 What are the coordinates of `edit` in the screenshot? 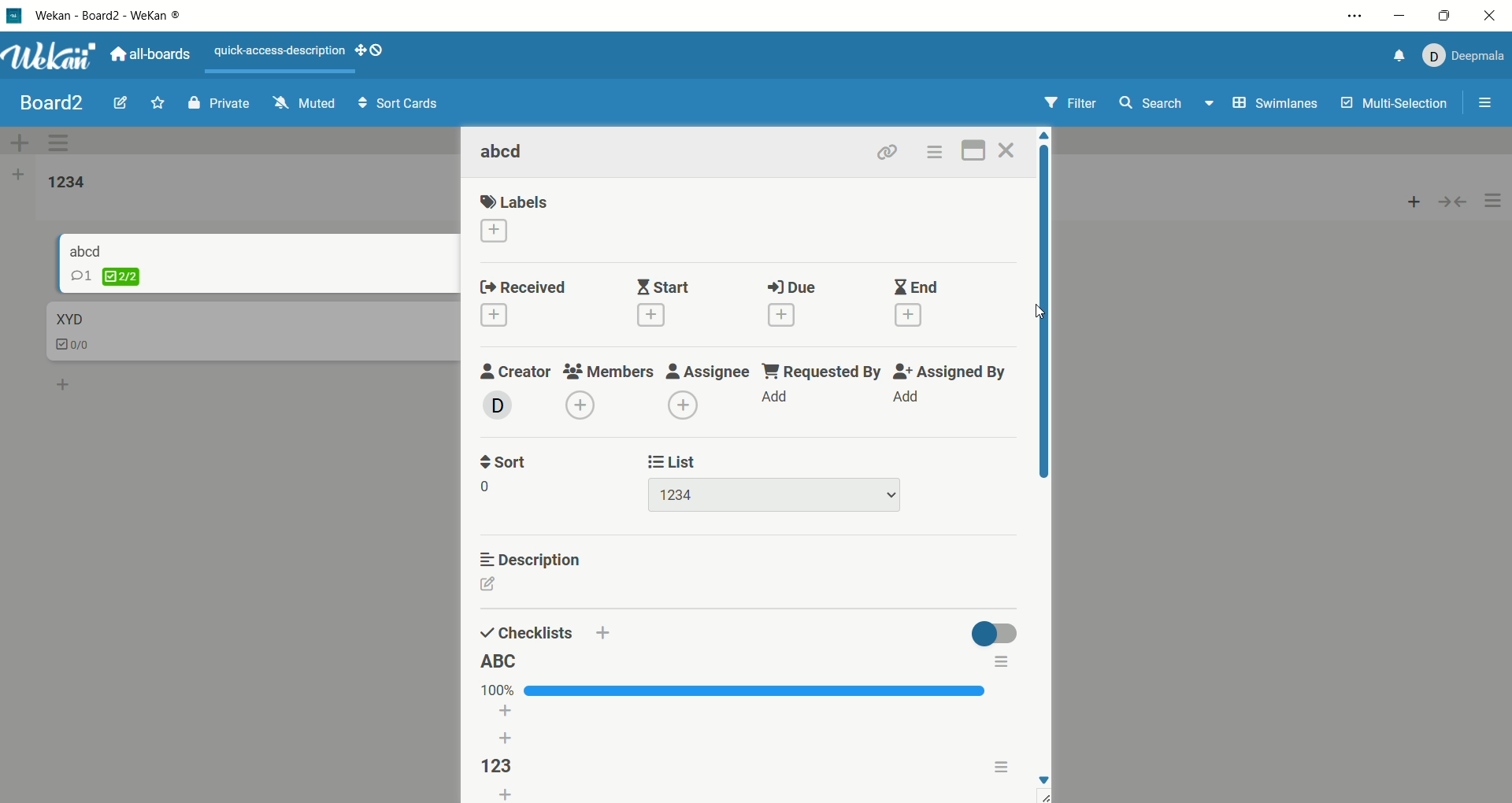 It's located at (120, 101).